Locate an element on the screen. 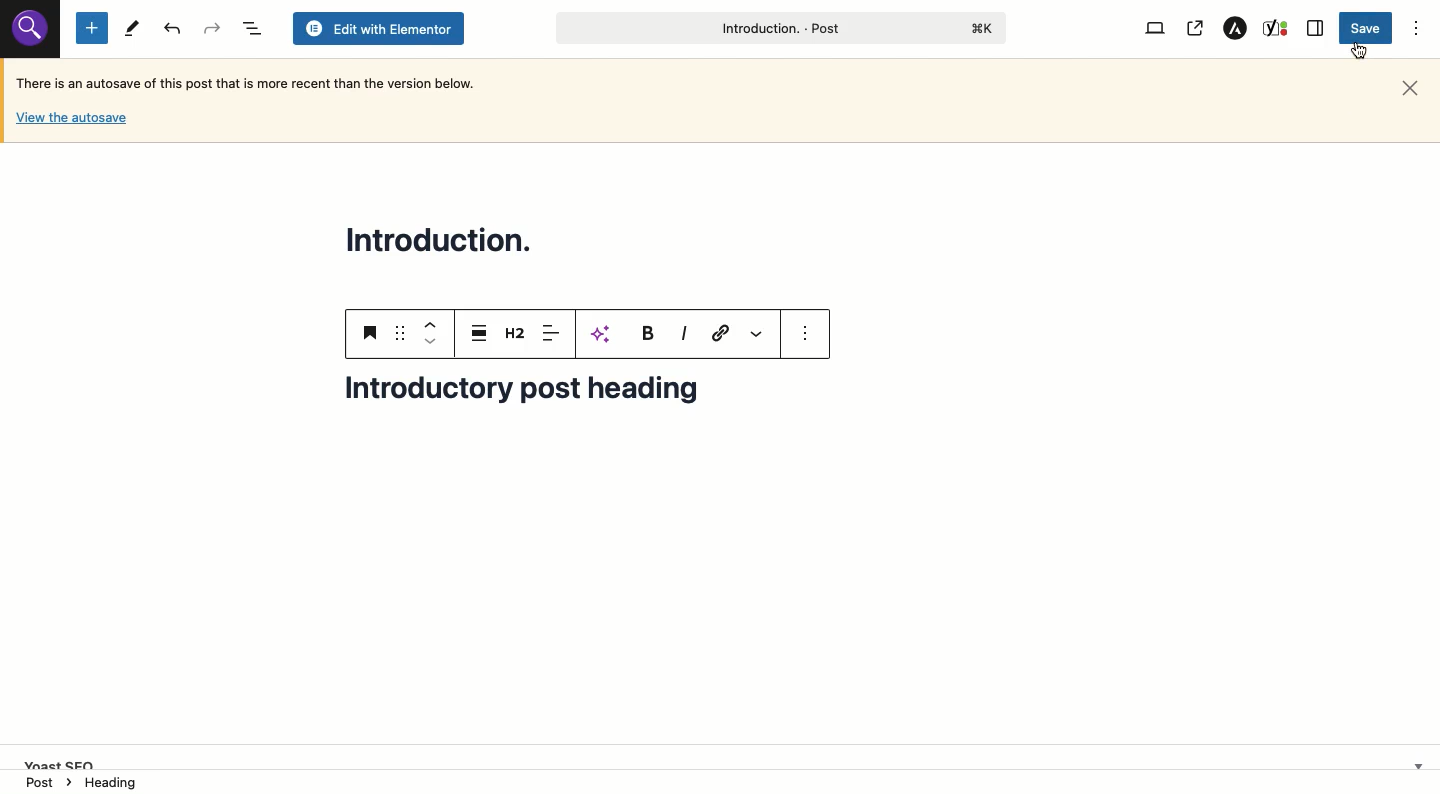 Image resolution: width=1440 pixels, height=794 pixels. View post is located at coordinates (1194, 29).